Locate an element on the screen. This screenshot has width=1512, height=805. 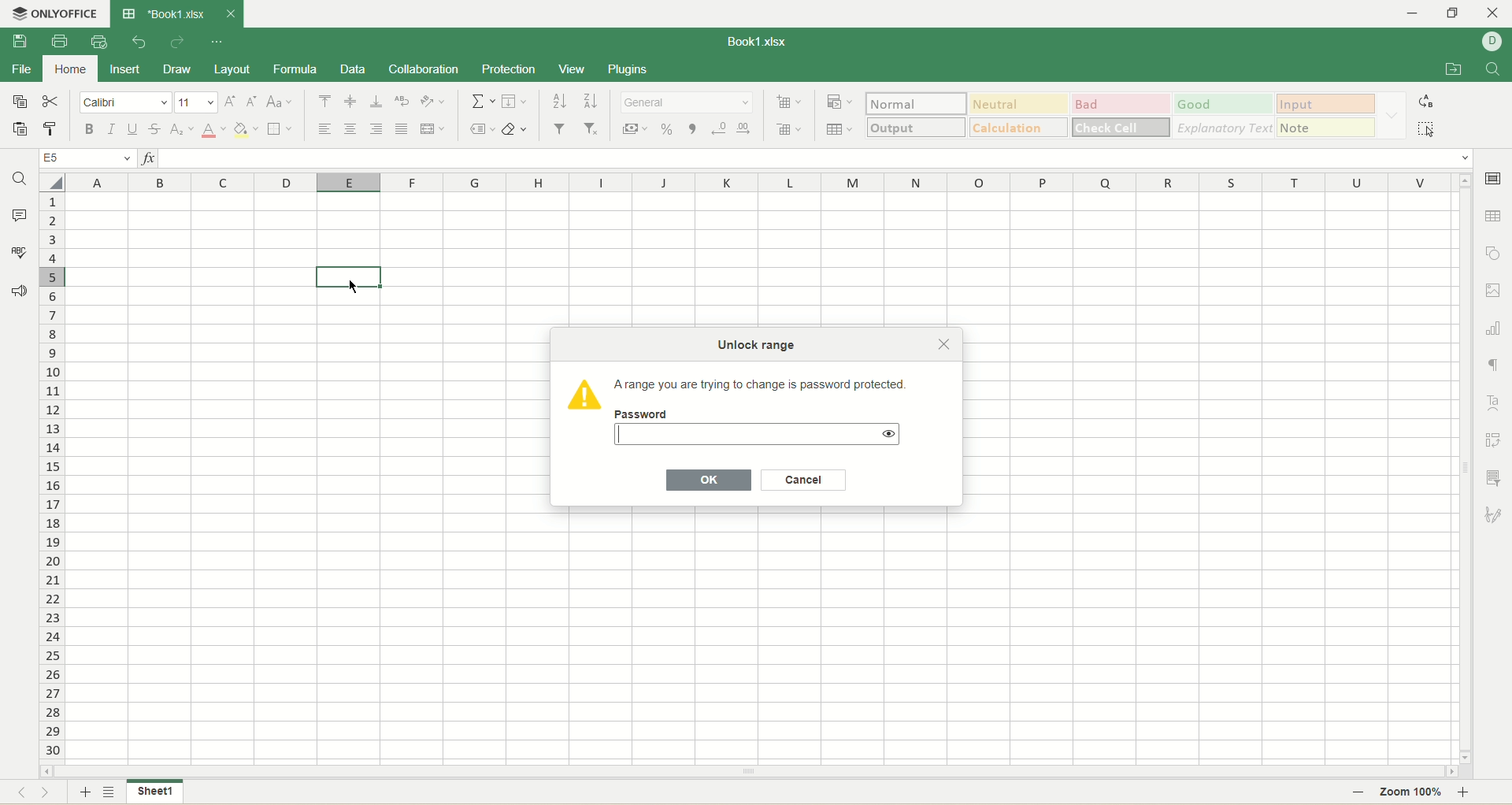
subscript is located at coordinates (184, 131).